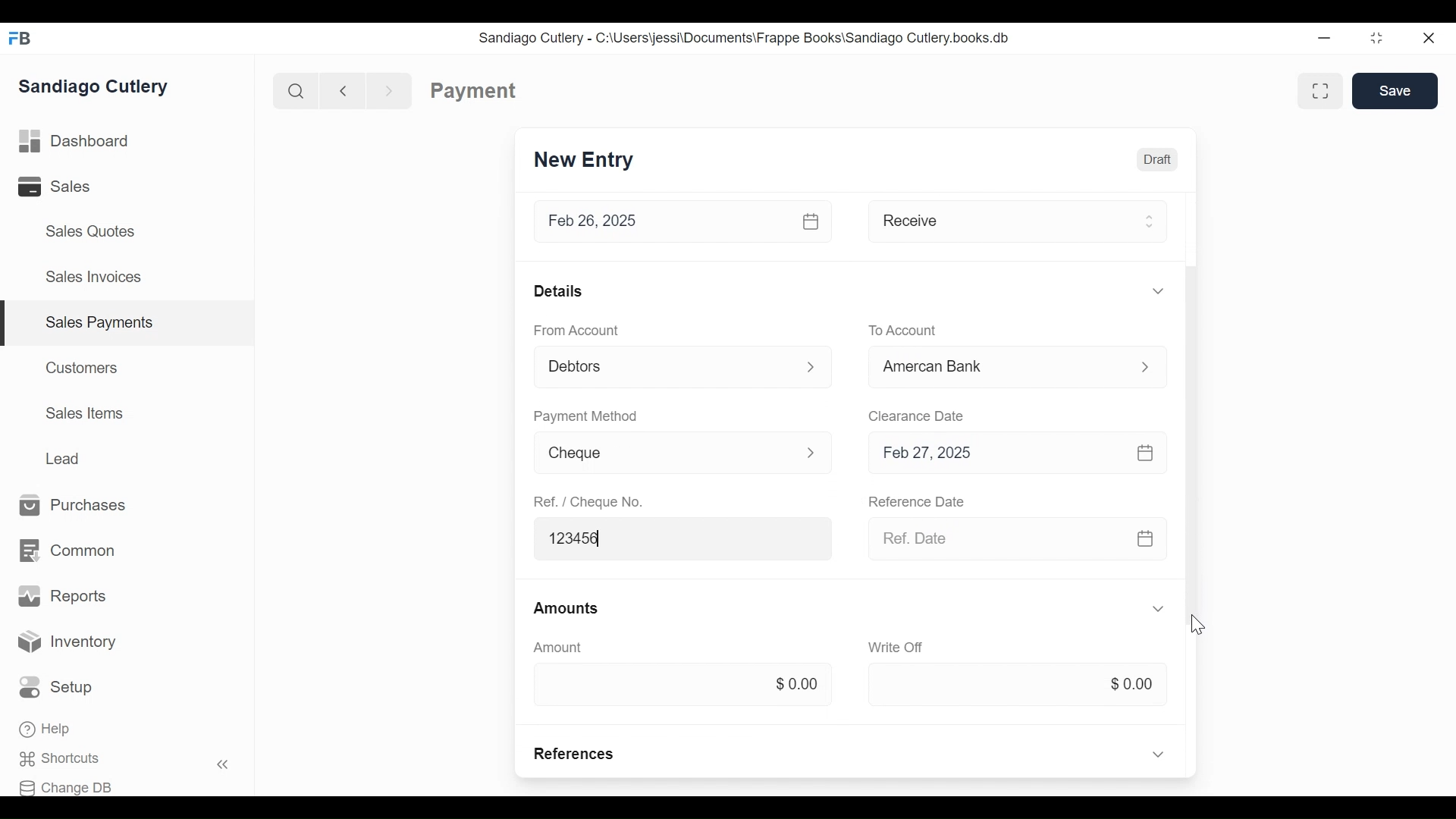 Image resolution: width=1456 pixels, height=819 pixels. What do you see at coordinates (390, 89) in the screenshot?
I see `Navigate forward` at bounding box center [390, 89].